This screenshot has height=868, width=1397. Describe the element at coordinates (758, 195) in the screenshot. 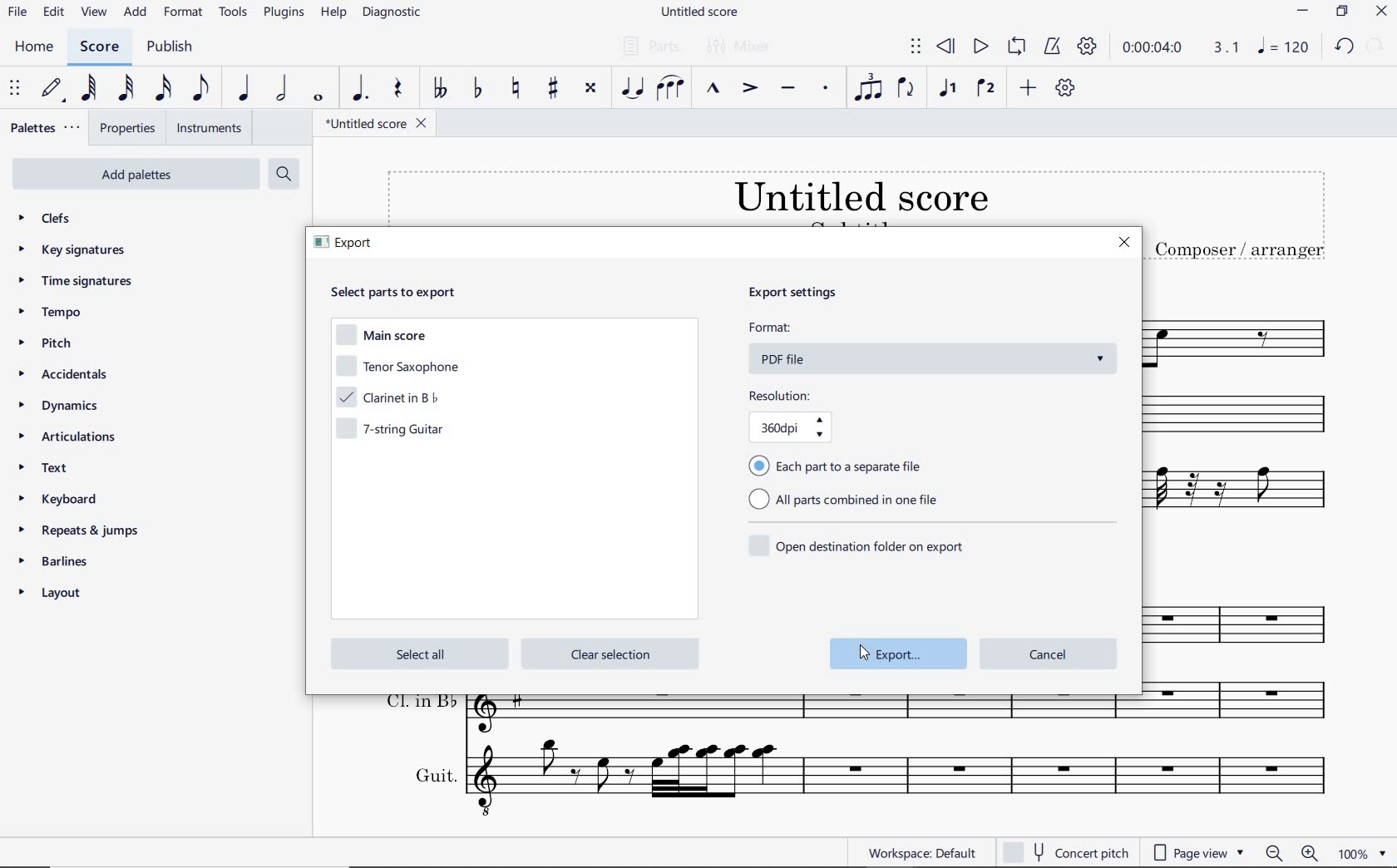

I see `TITLE` at that location.